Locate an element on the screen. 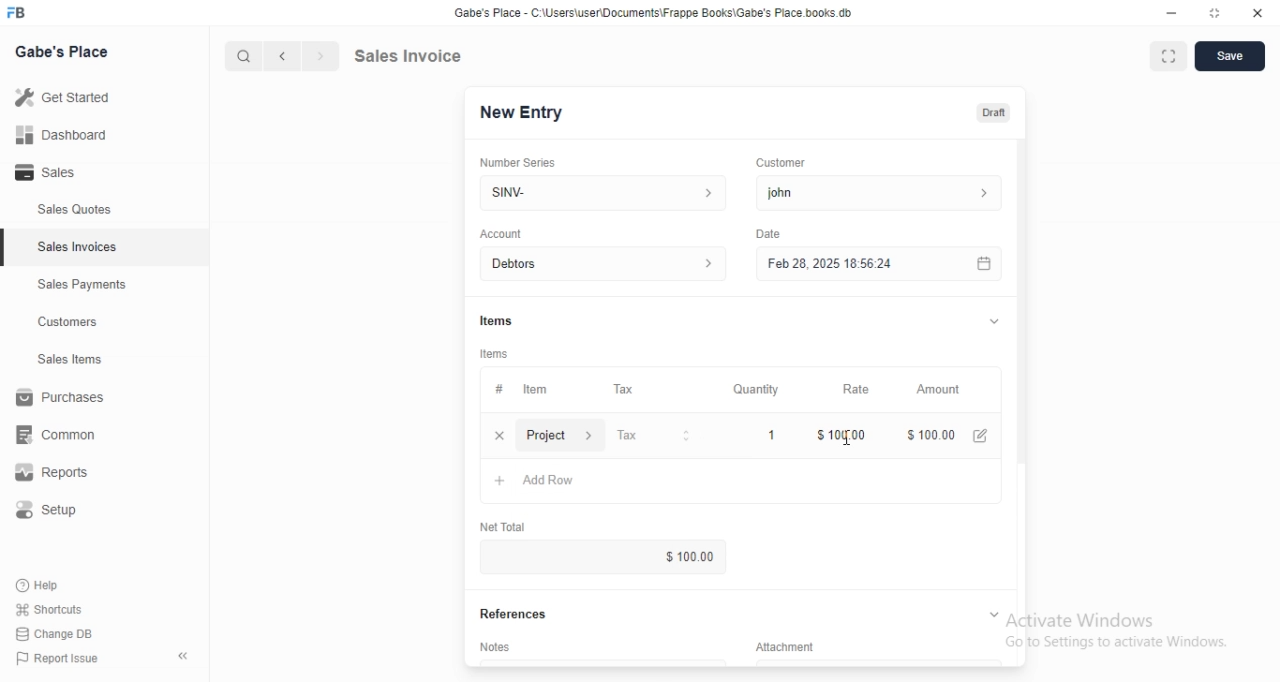 The image size is (1280, 682). delete is located at coordinates (499, 435).